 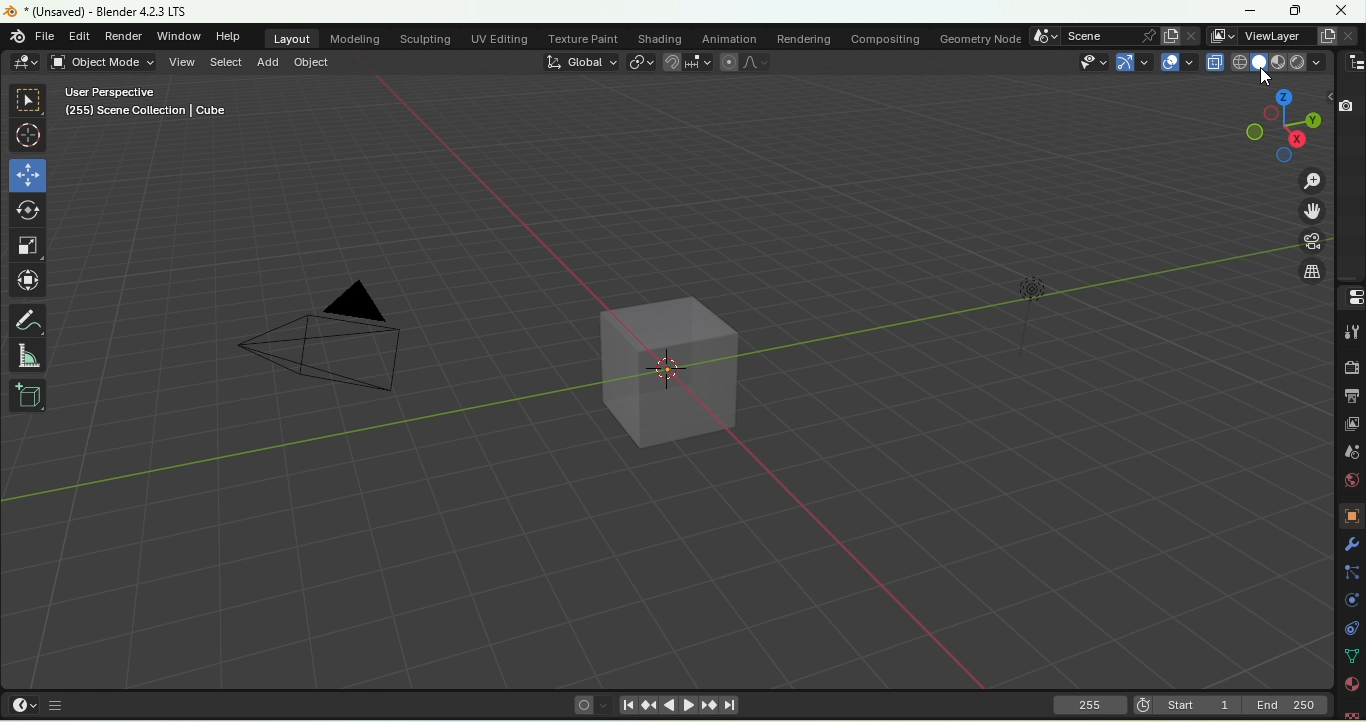 What do you see at coordinates (227, 36) in the screenshot?
I see `Help` at bounding box center [227, 36].